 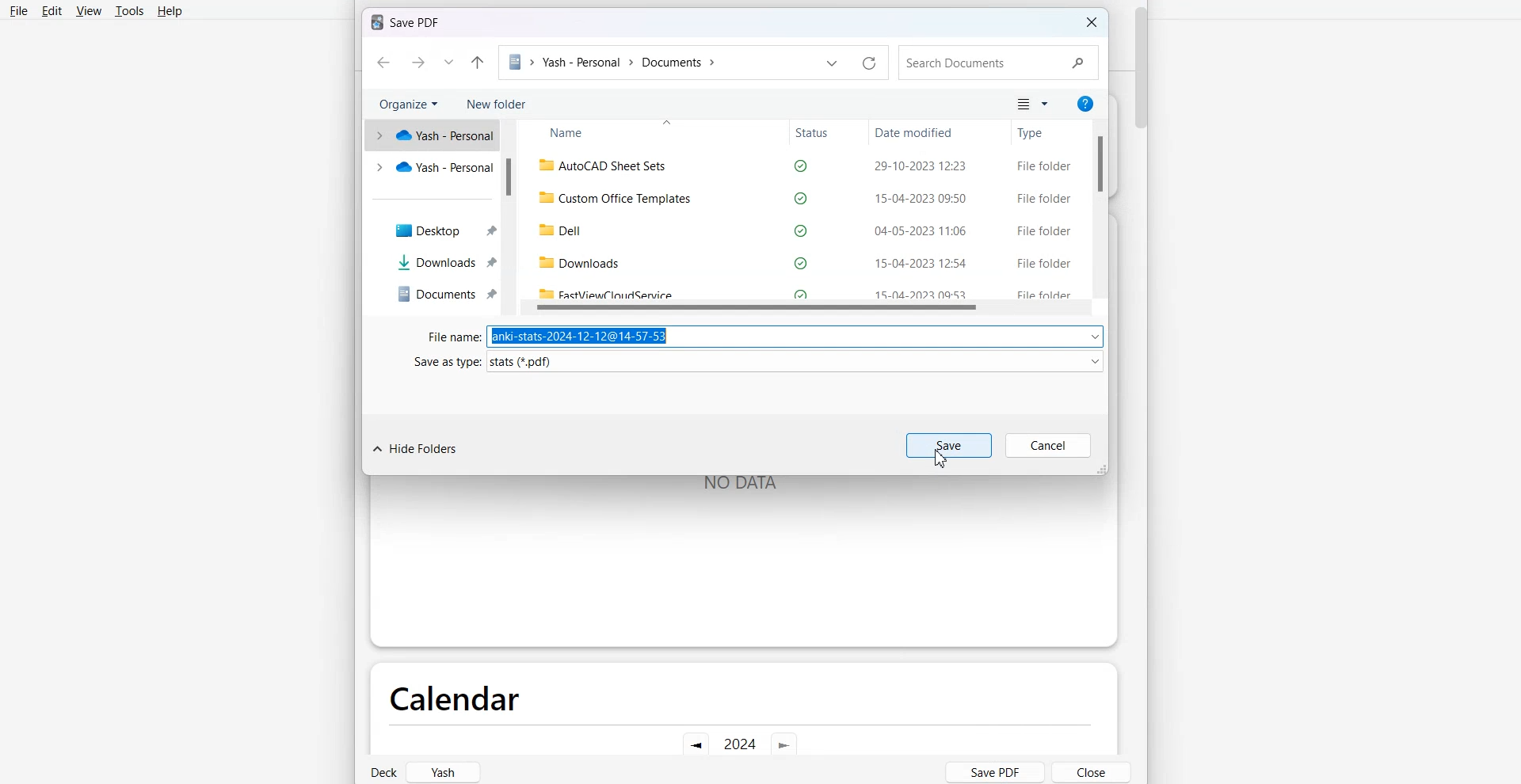 I want to click on Close, so click(x=1092, y=772).